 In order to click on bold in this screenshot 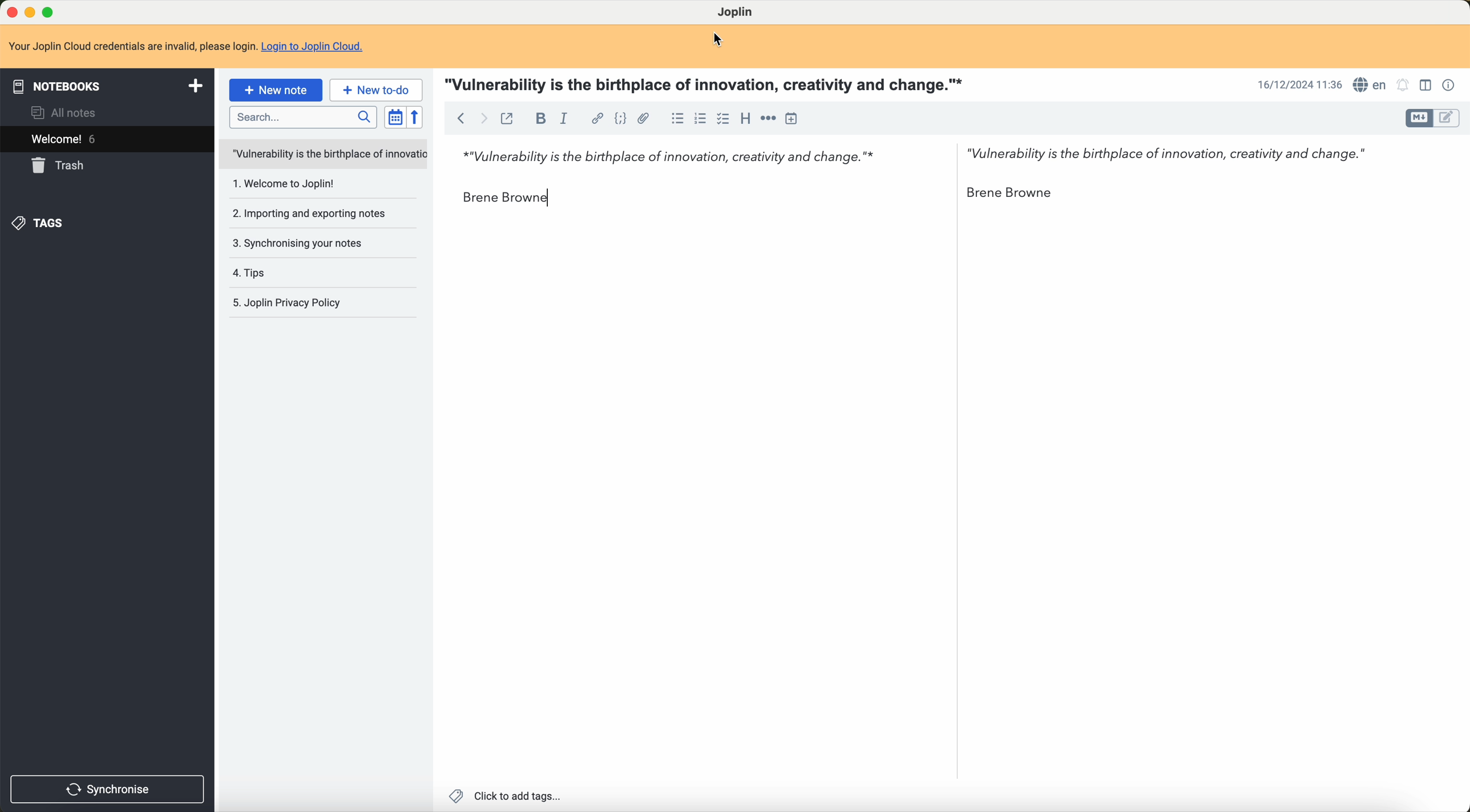, I will do `click(538, 118)`.